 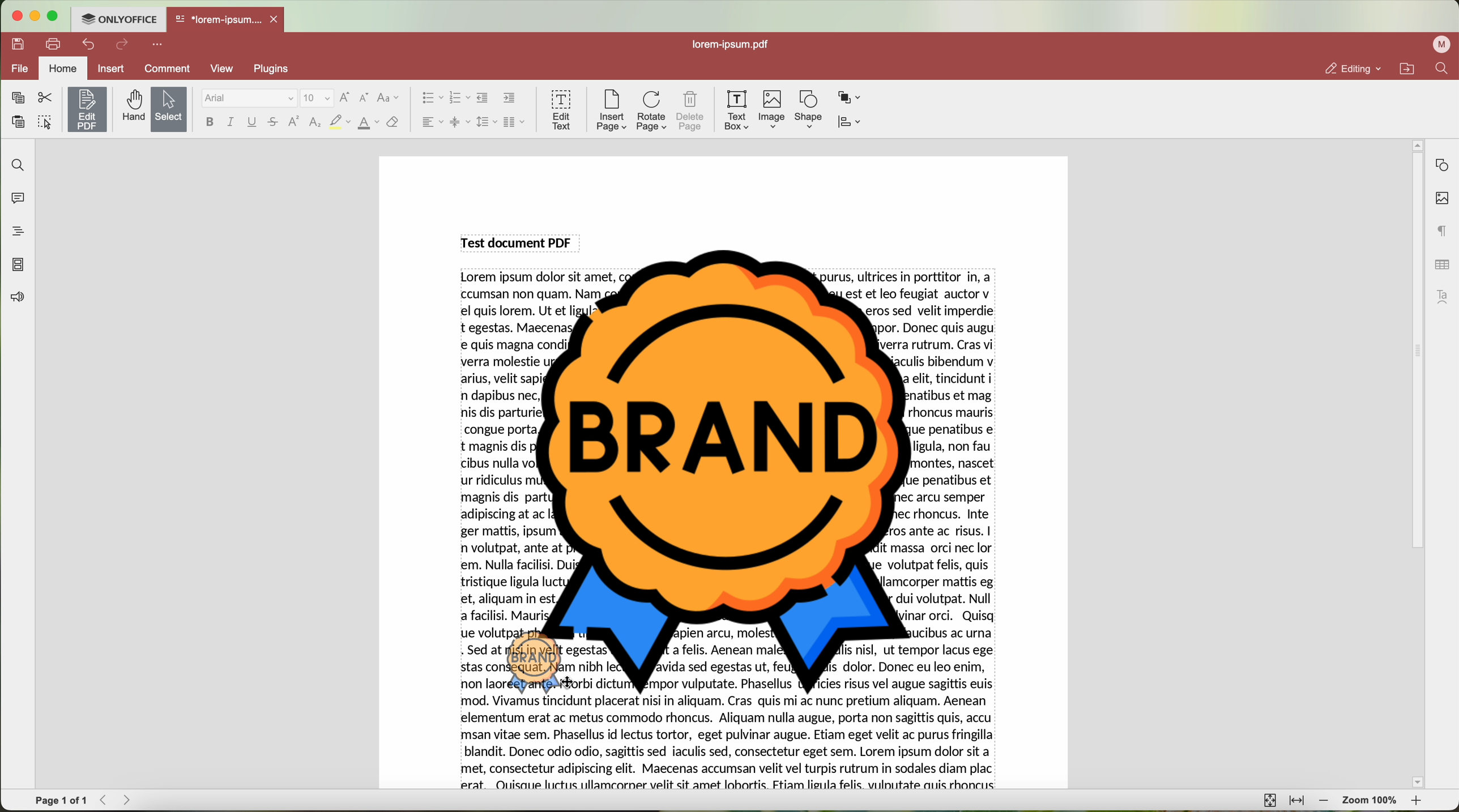 I want to click on fit to page, so click(x=1268, y=800).